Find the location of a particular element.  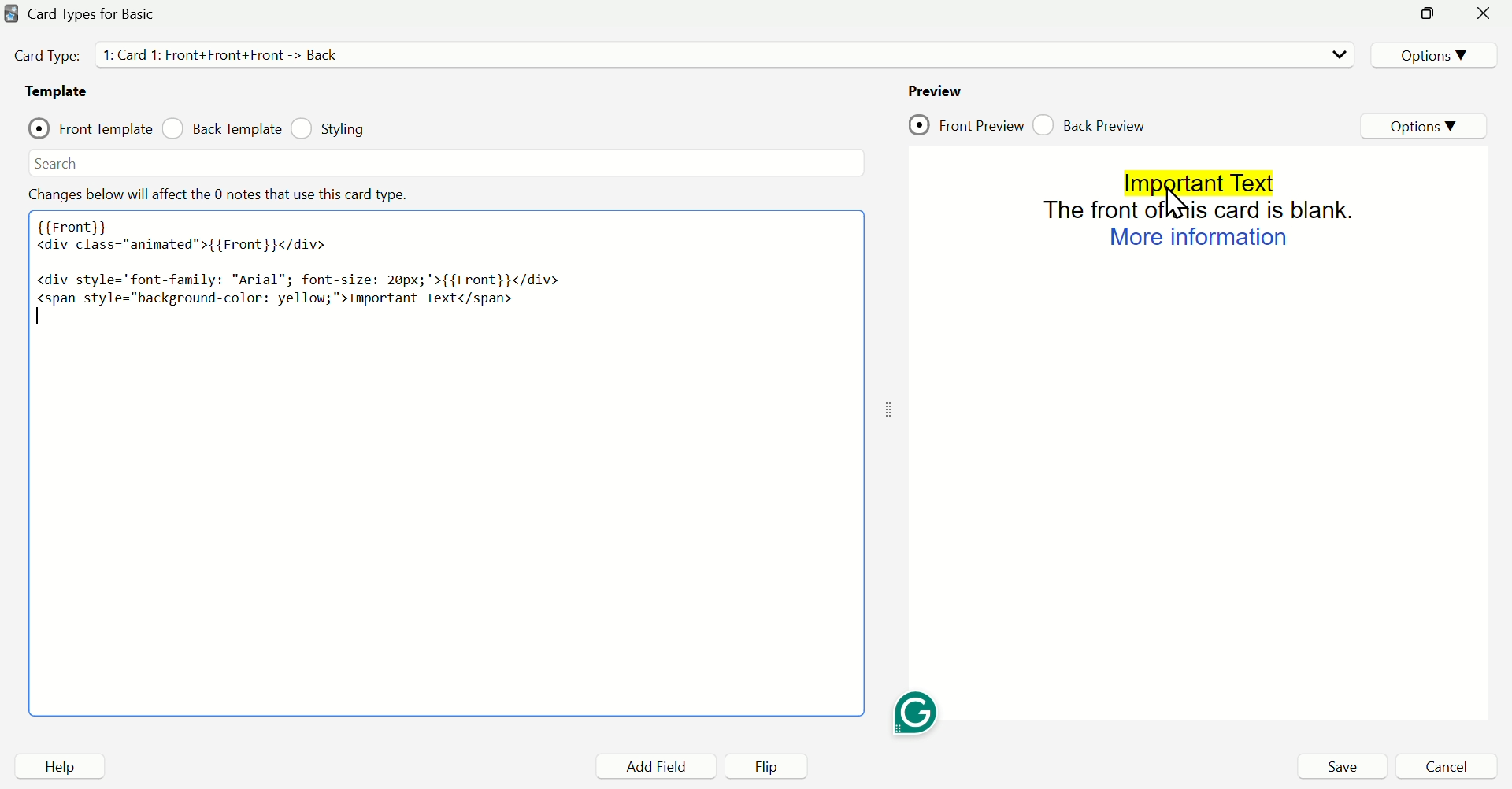

Close is located at coordinates (1484, 14).